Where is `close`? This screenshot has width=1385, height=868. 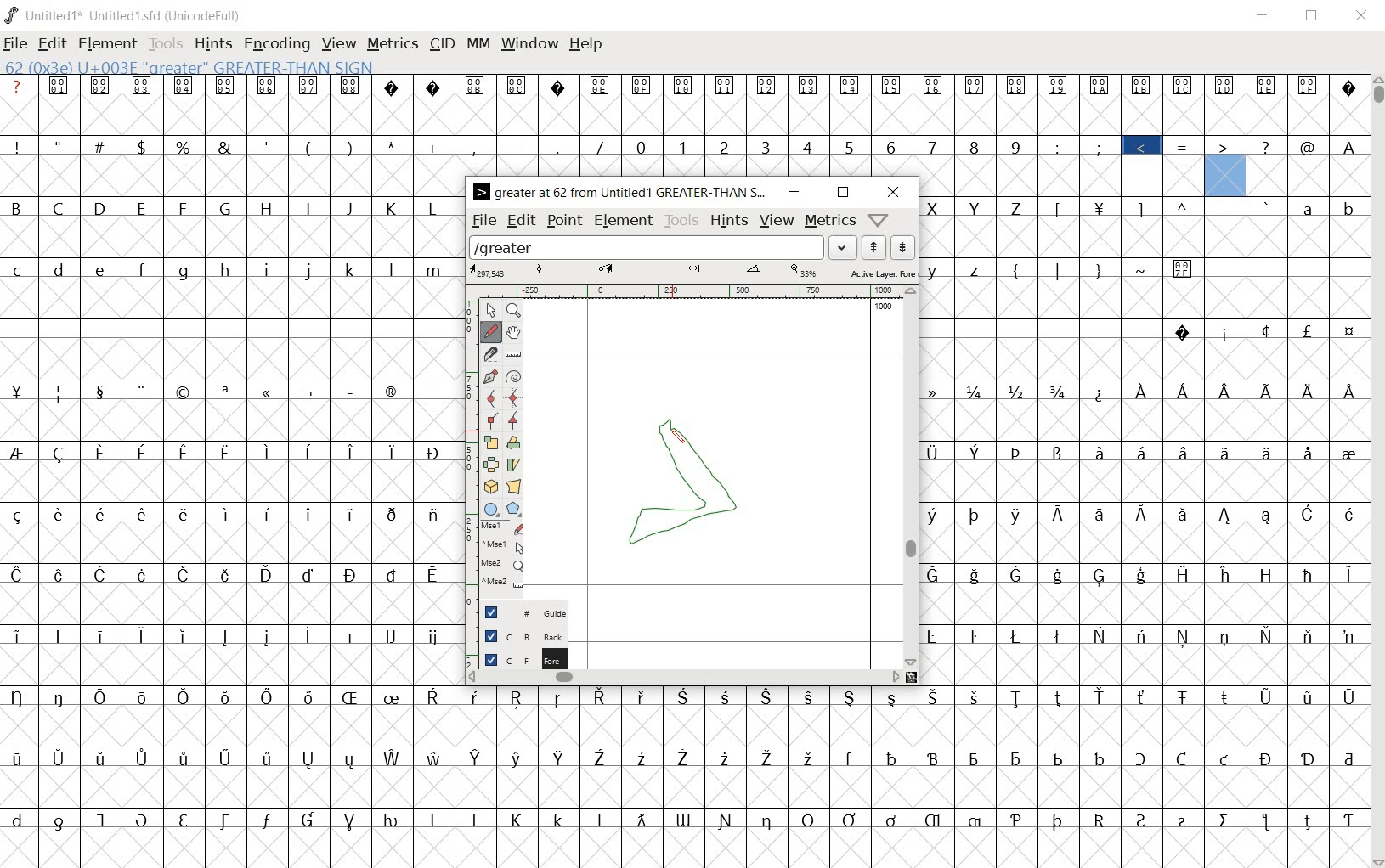
close is located at coordinates (1360, 15).